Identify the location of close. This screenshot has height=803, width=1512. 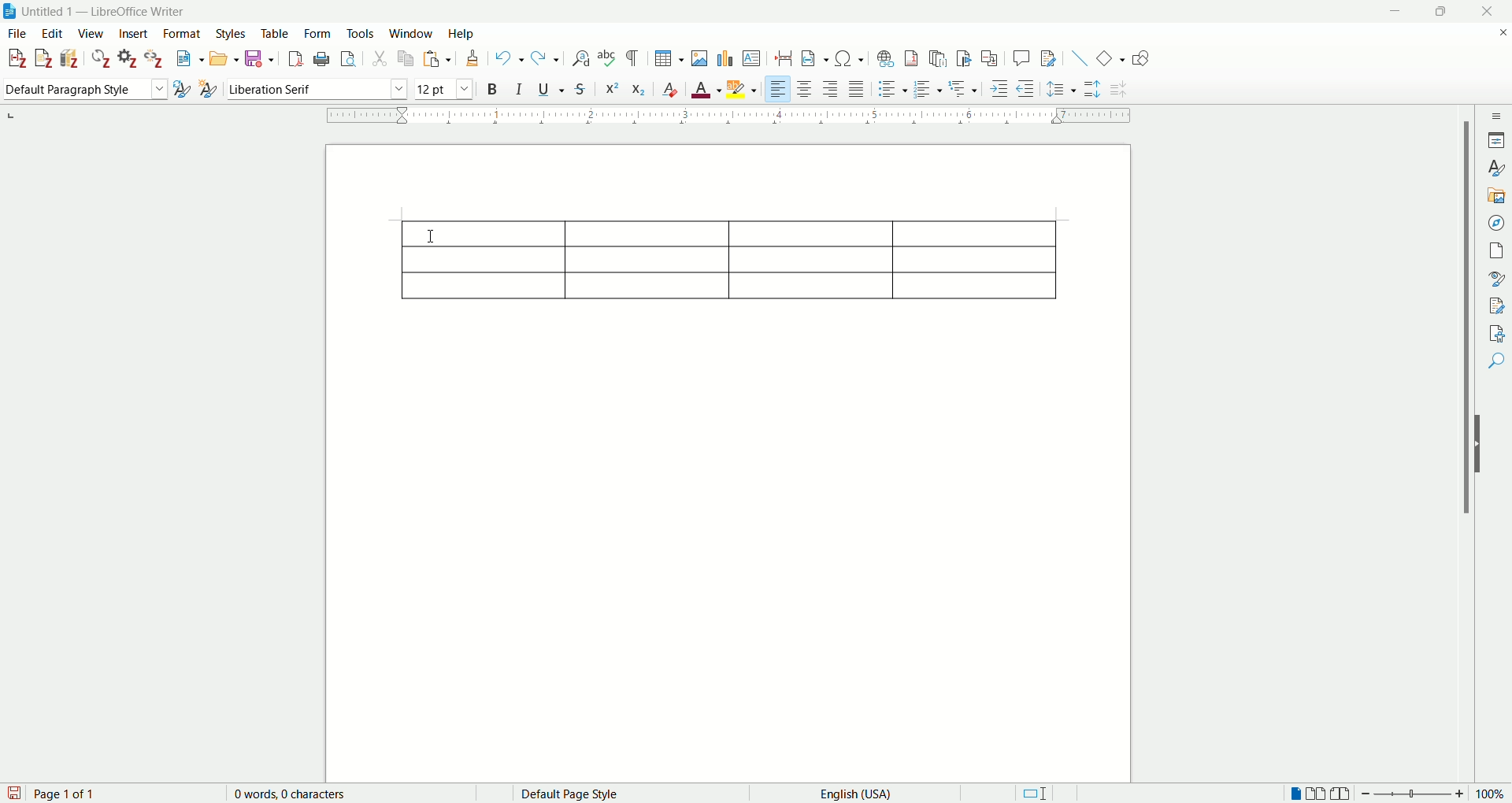
(1499, 33).